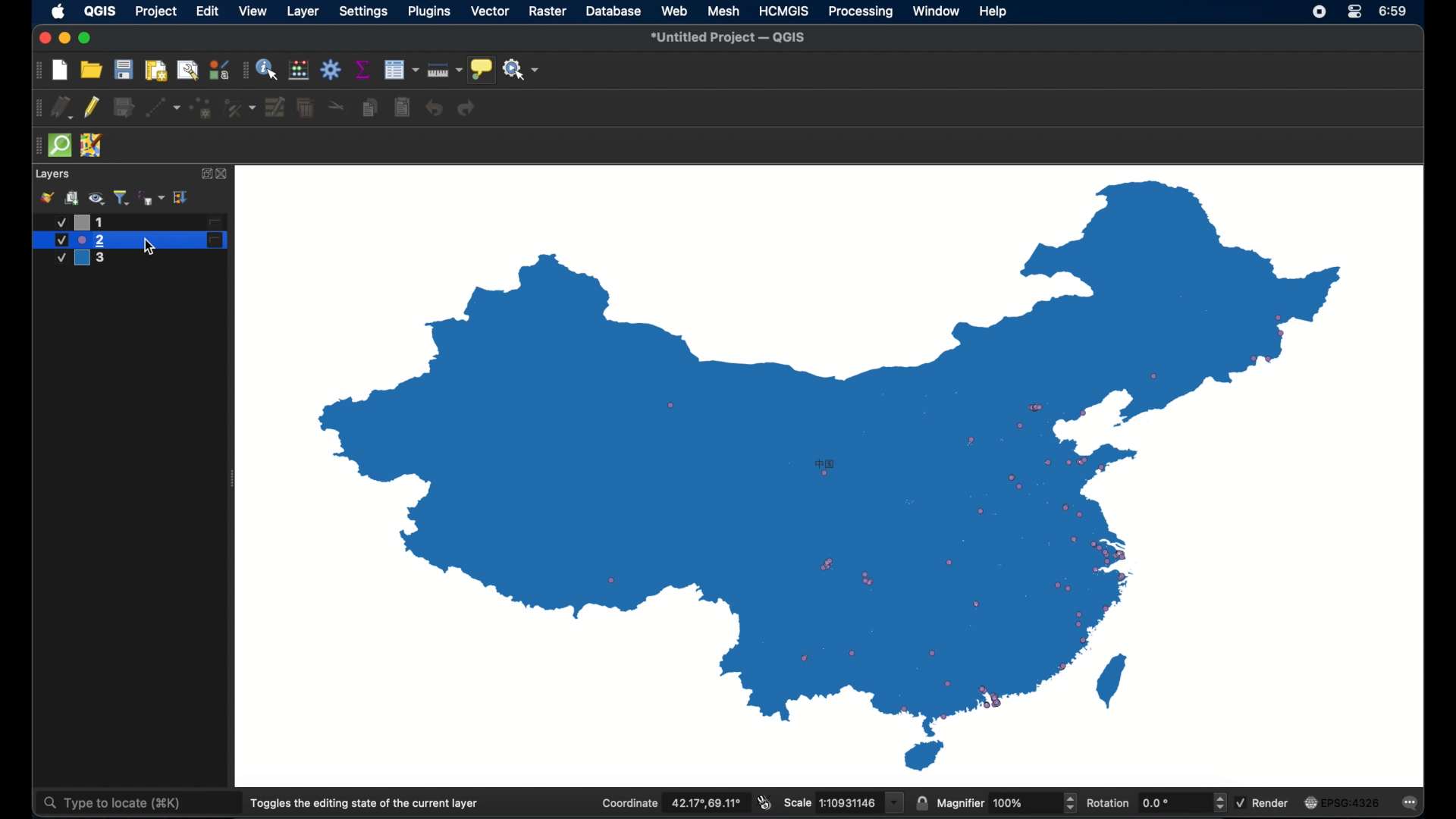  What do you see at coordinates (706, 476) in the screenshot?
I see `boundary  map of  china with point data` at bounding box center [706, 476].